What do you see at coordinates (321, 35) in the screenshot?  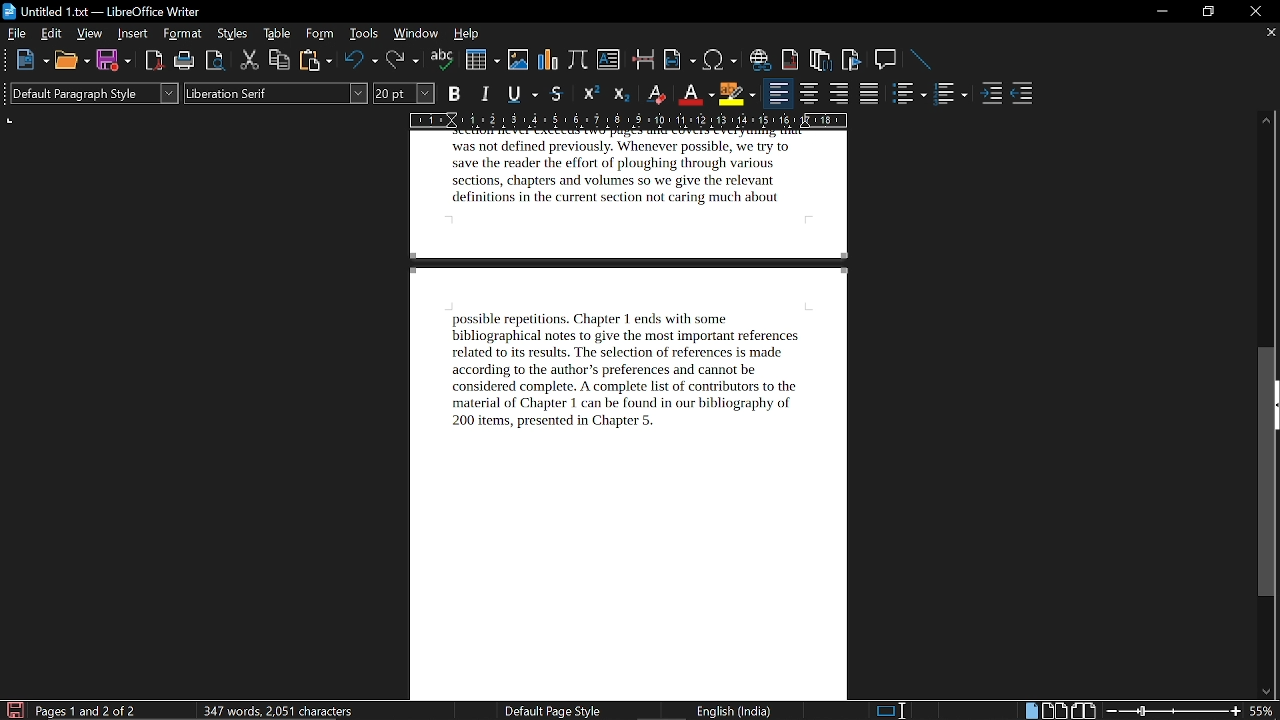 I see `form` at bounding box center [321, 35].